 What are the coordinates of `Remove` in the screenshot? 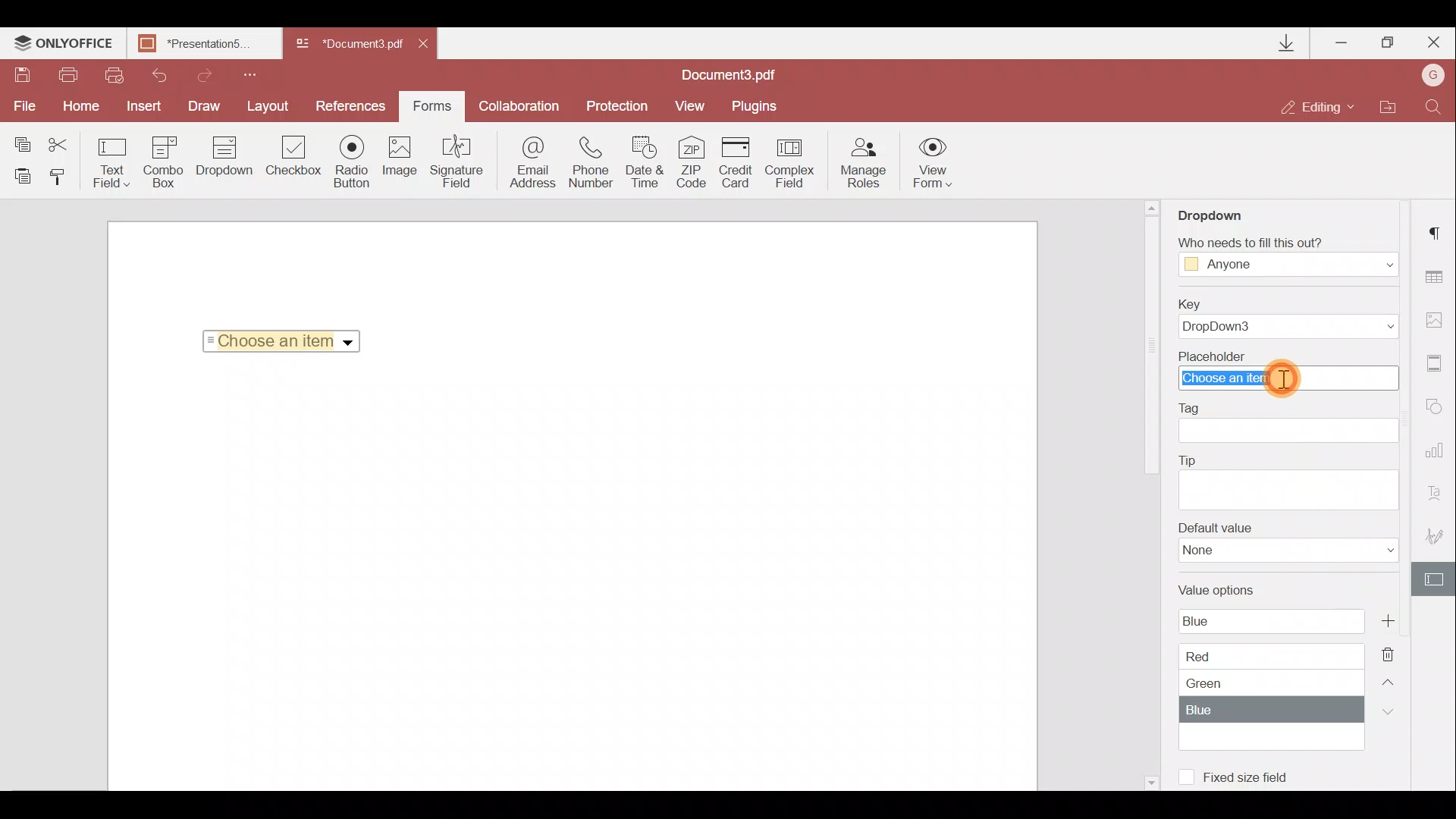 It's located at (1392, 650).